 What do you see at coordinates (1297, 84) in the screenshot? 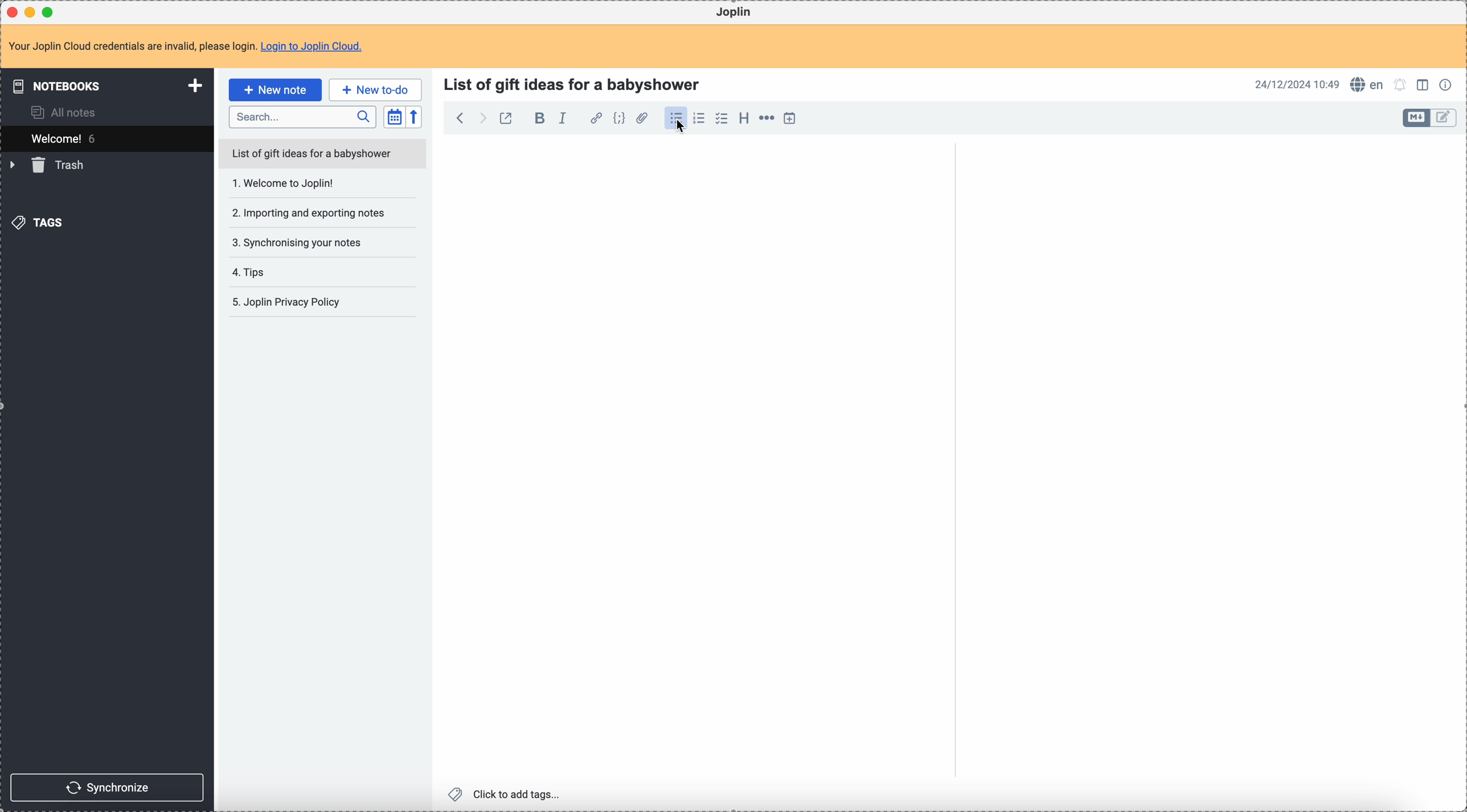
I see `date and hour` at bounding box center [1297, 84].